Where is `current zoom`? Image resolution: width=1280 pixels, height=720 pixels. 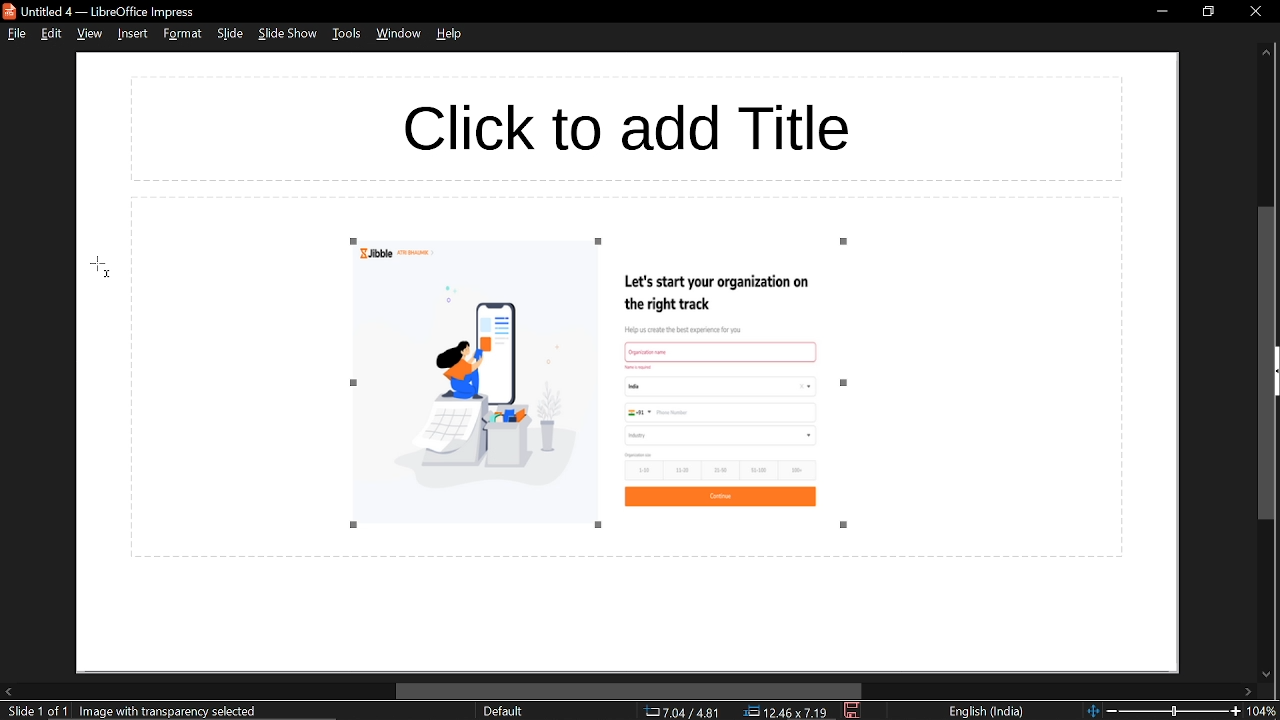 current zoom is located at coordinates (1265, 711).